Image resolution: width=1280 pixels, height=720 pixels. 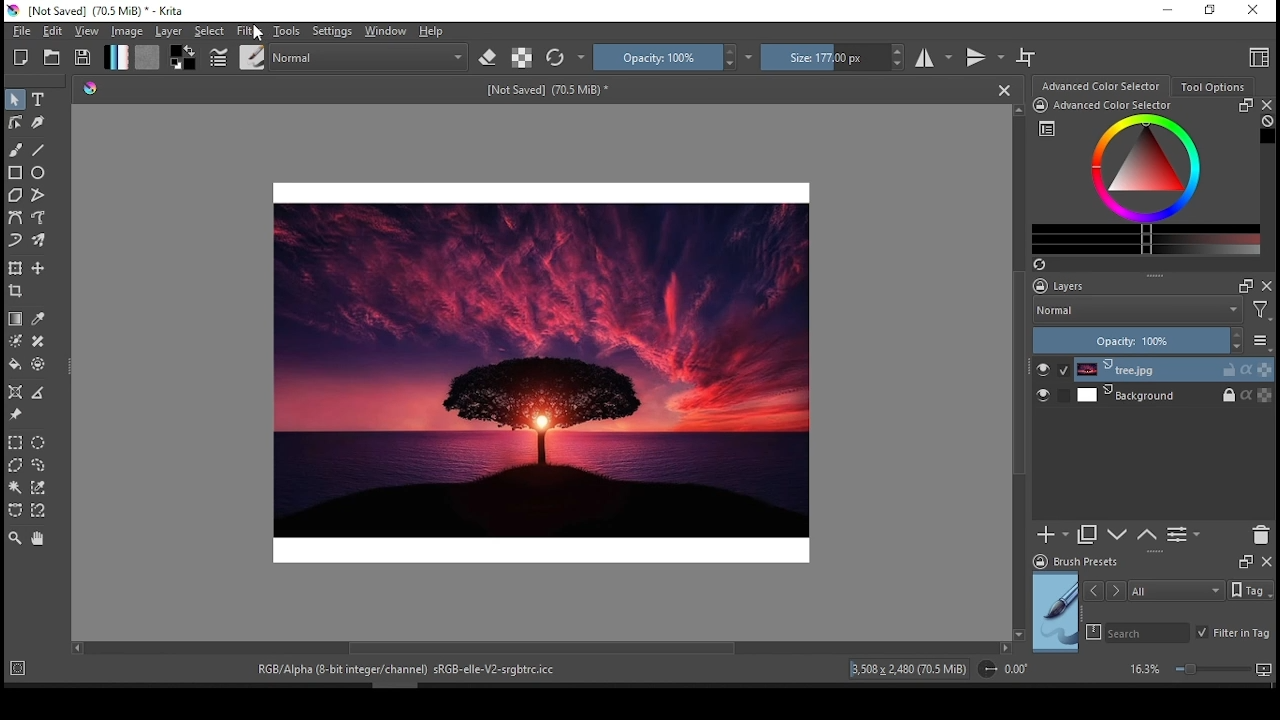 I want to click on close docker, so click(x=1267, y=103).